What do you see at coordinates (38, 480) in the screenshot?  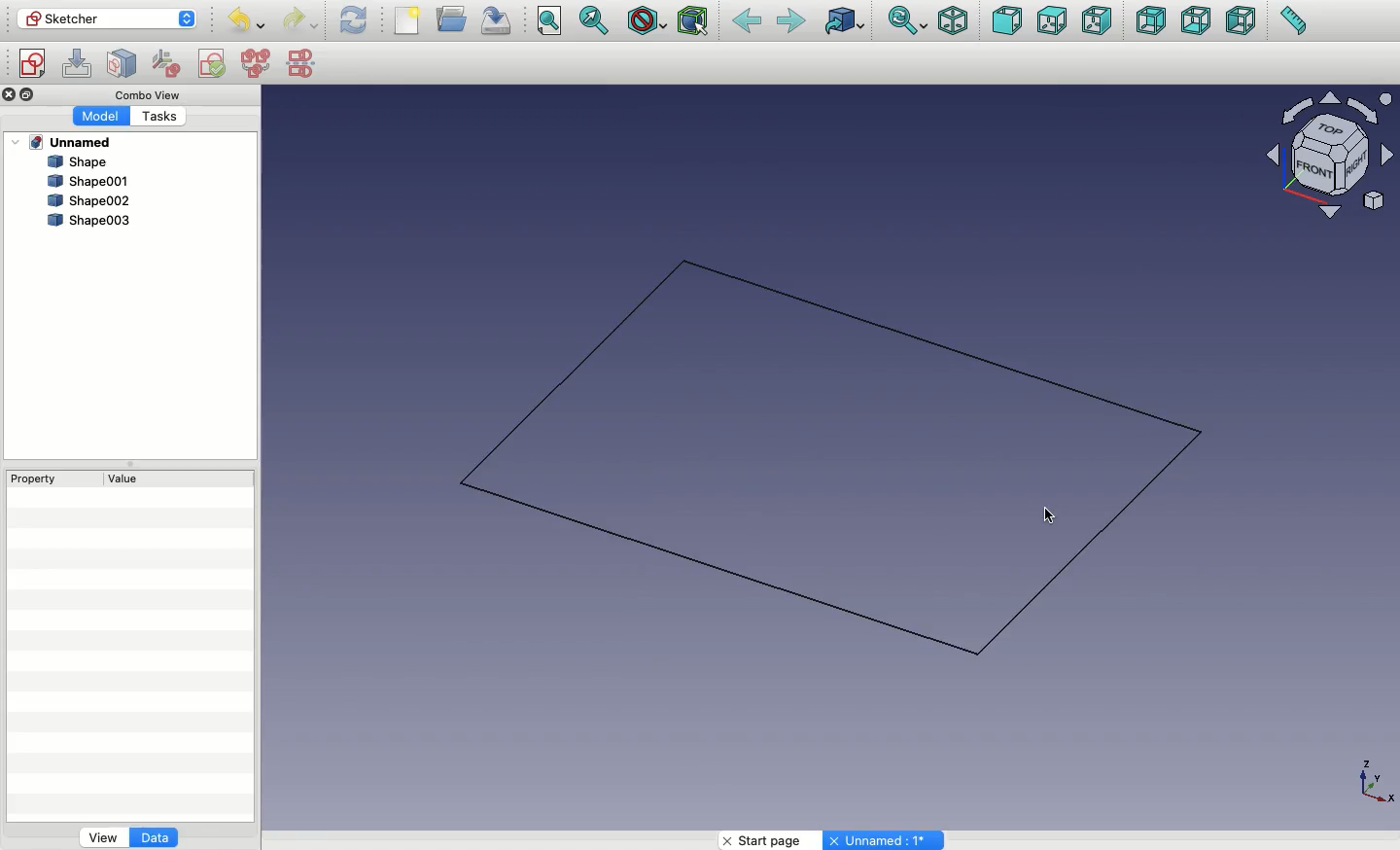 I see `Property` at bounding box center [38, 480].